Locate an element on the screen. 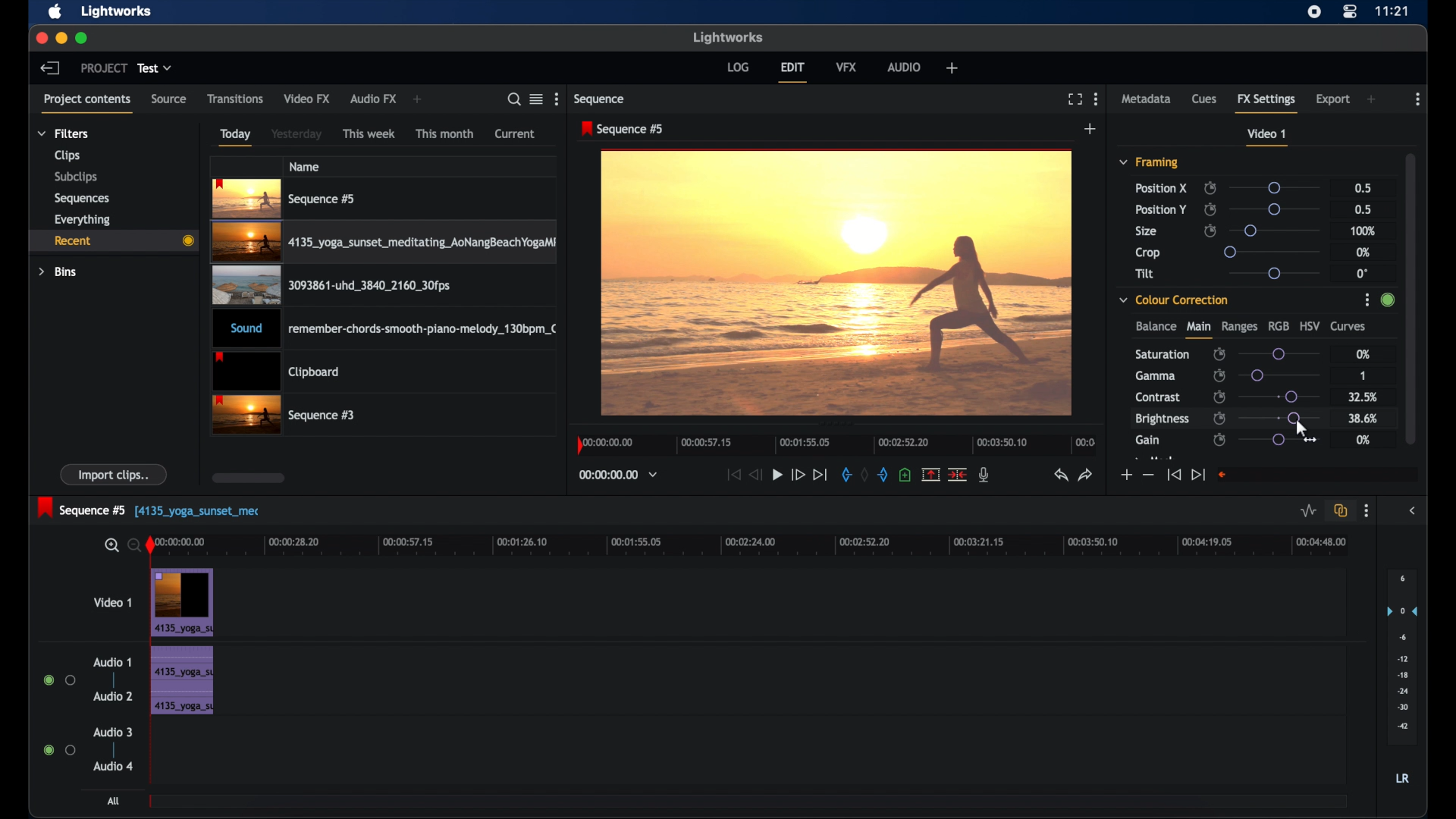 This screenshot has width=1456, height=819. edit is located at coordinates (792, 72).